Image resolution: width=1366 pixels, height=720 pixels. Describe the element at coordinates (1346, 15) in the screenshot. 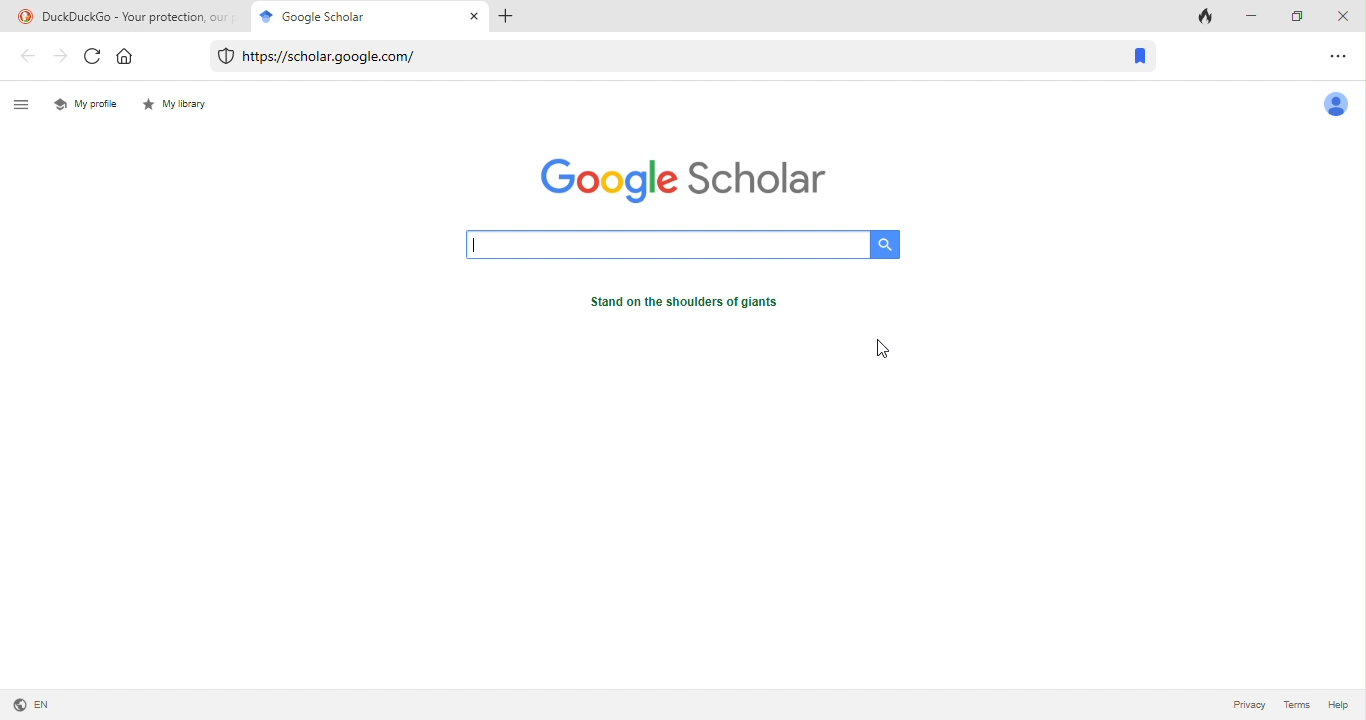

I see `close` at that location.